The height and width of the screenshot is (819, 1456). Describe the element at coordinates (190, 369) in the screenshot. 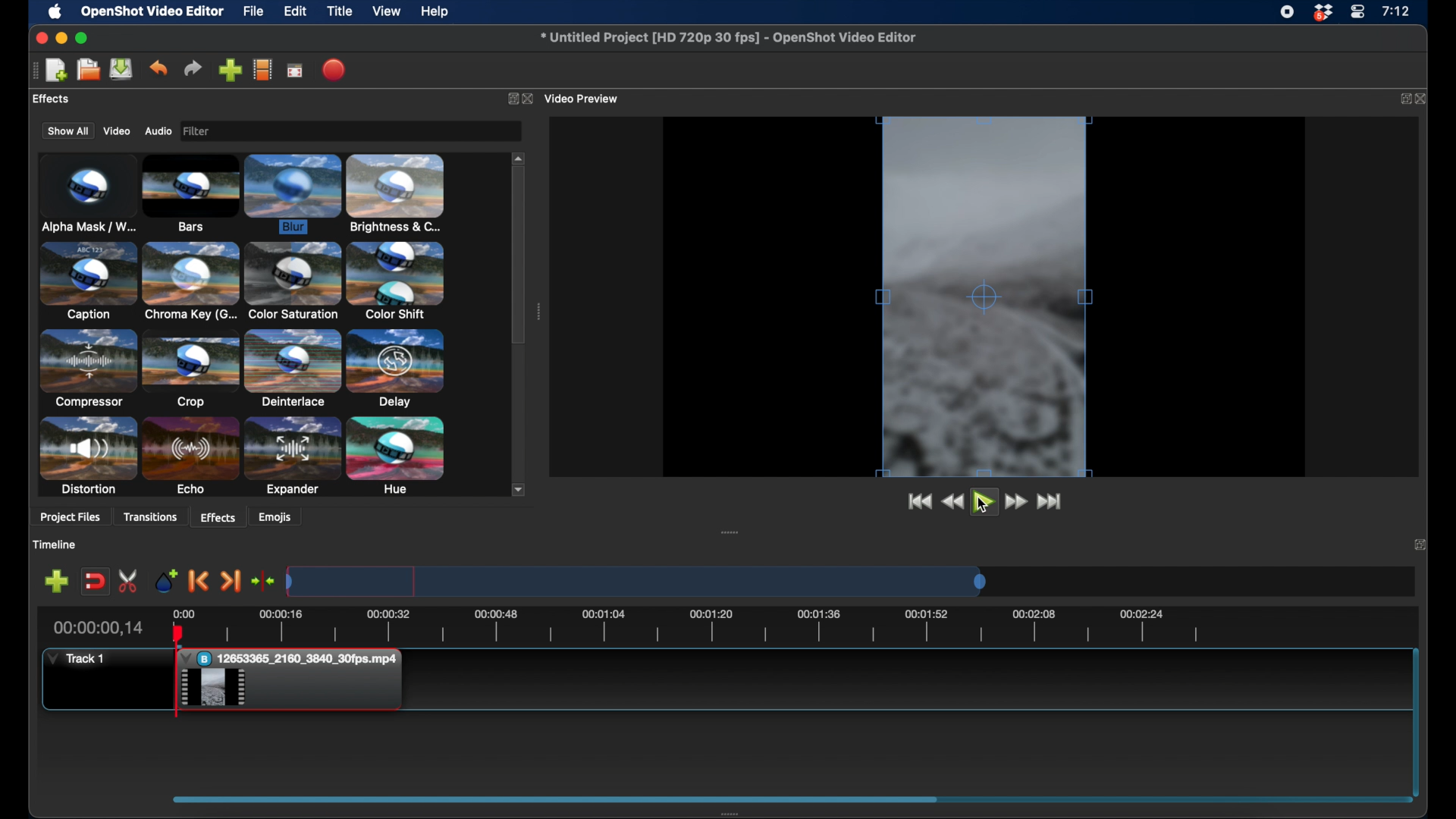

I see `crop` at that location.